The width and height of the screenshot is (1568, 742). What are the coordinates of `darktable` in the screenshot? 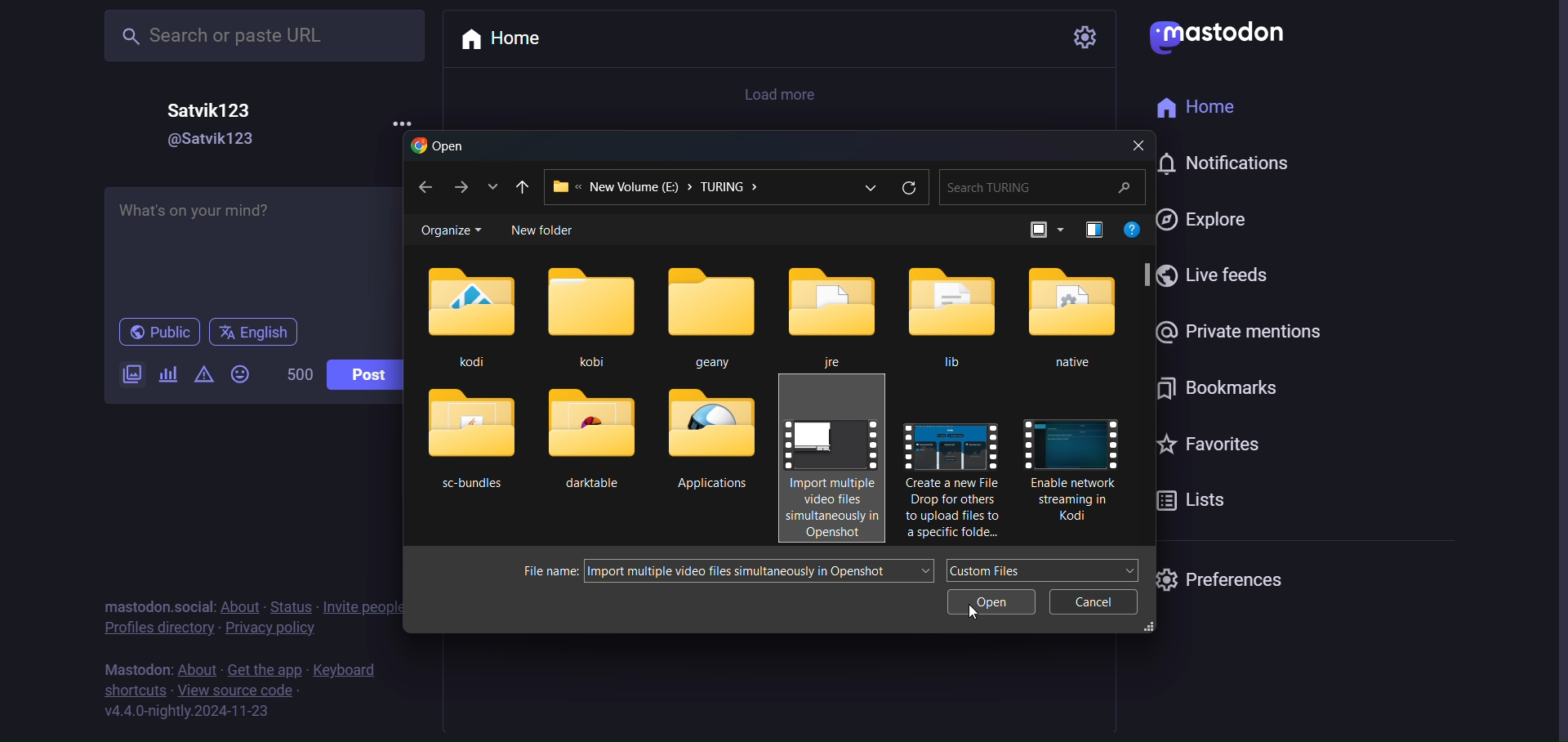 It's located at (590, 444).